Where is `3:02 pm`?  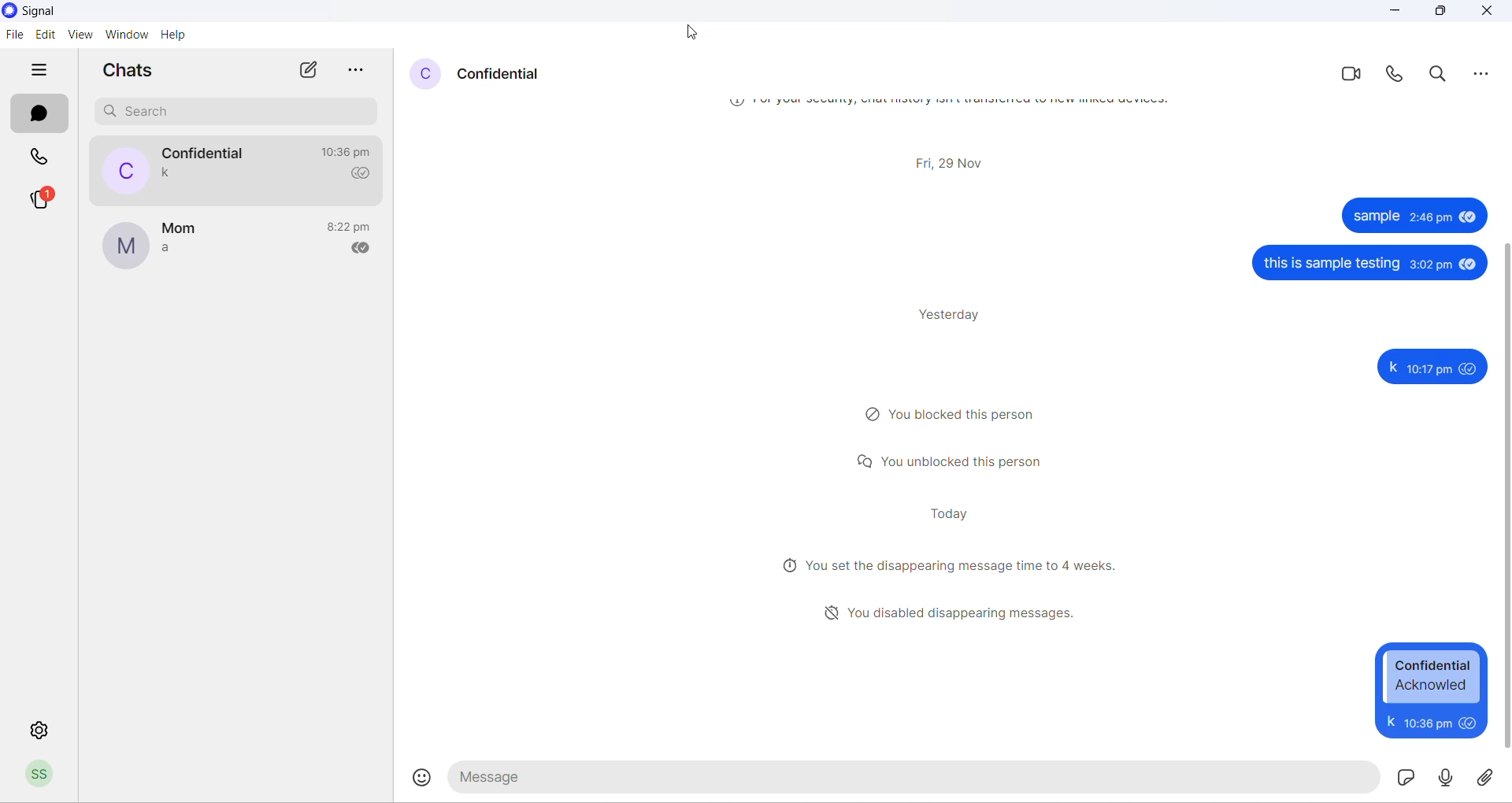
3:02 pm is located at coordinates (1430, 264).